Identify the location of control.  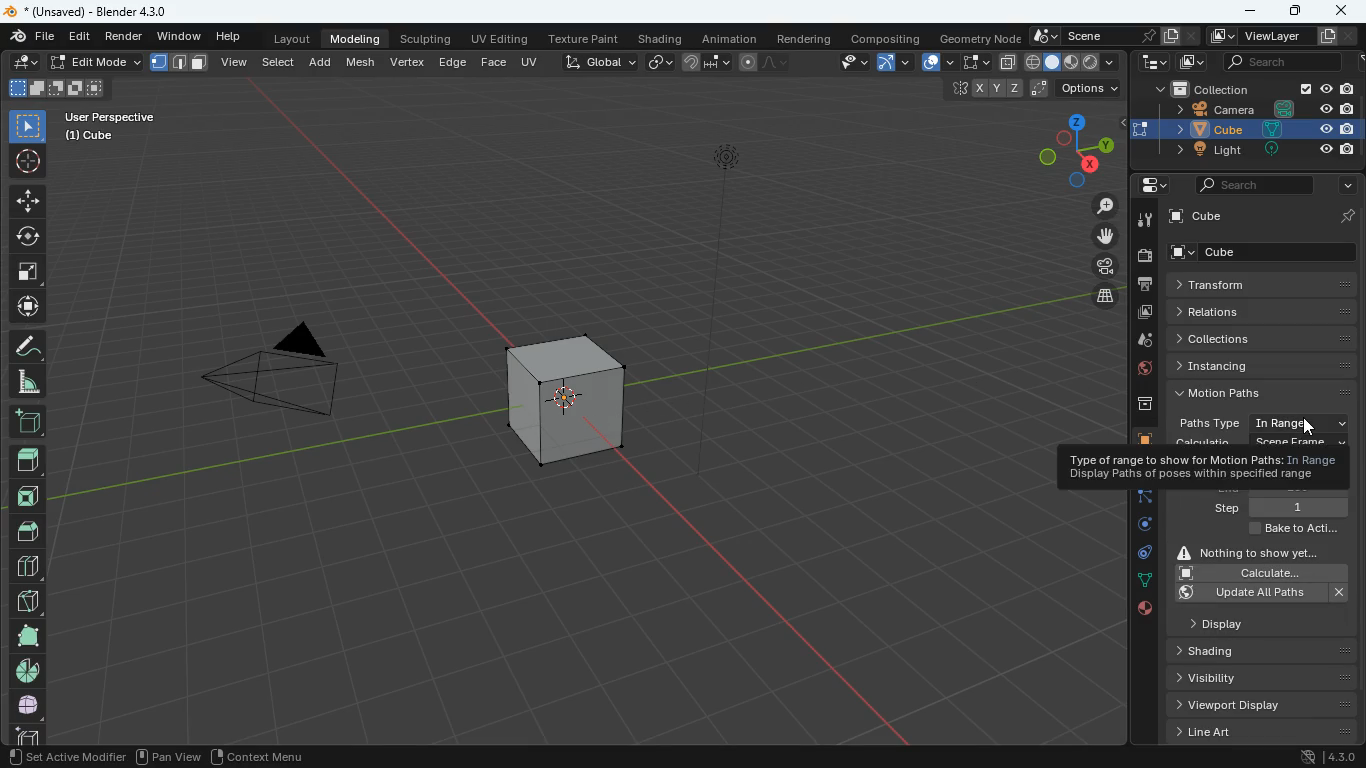
(1139, 556).